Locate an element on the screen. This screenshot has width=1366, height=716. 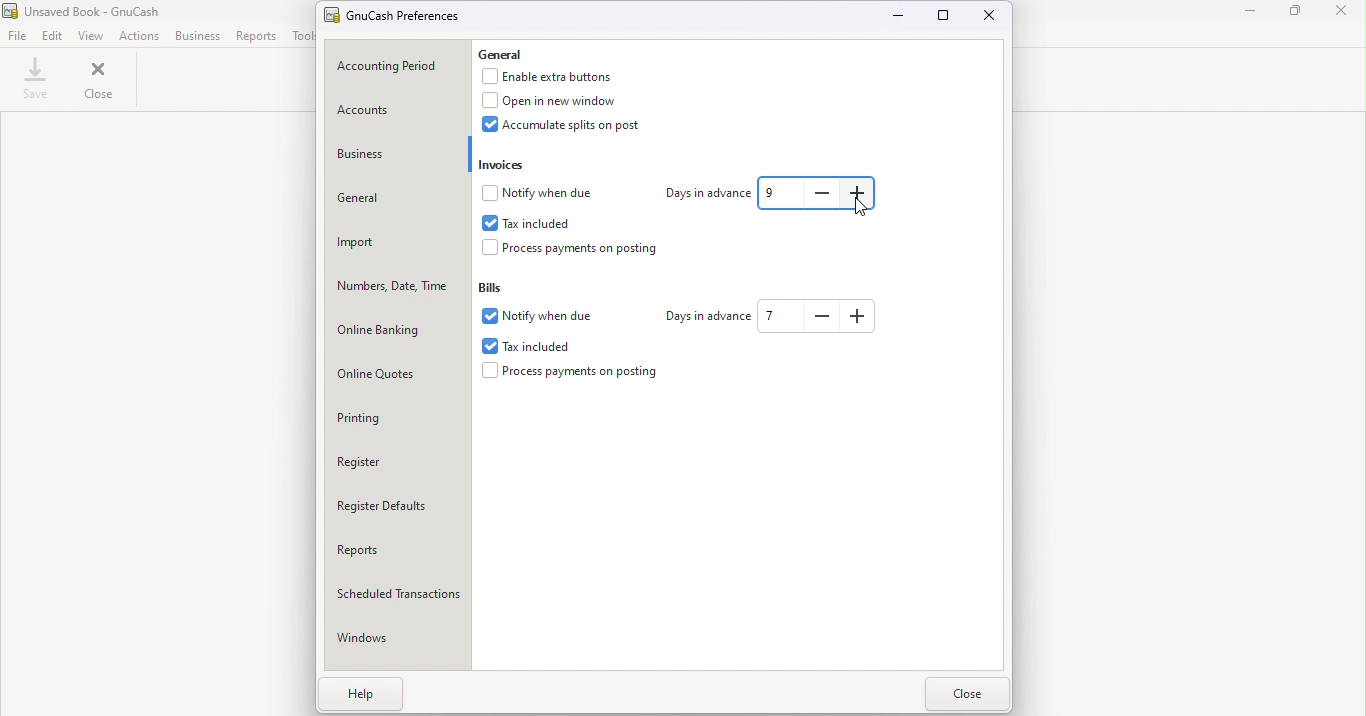
Process payments on posting is located at coordinates (575, 373).